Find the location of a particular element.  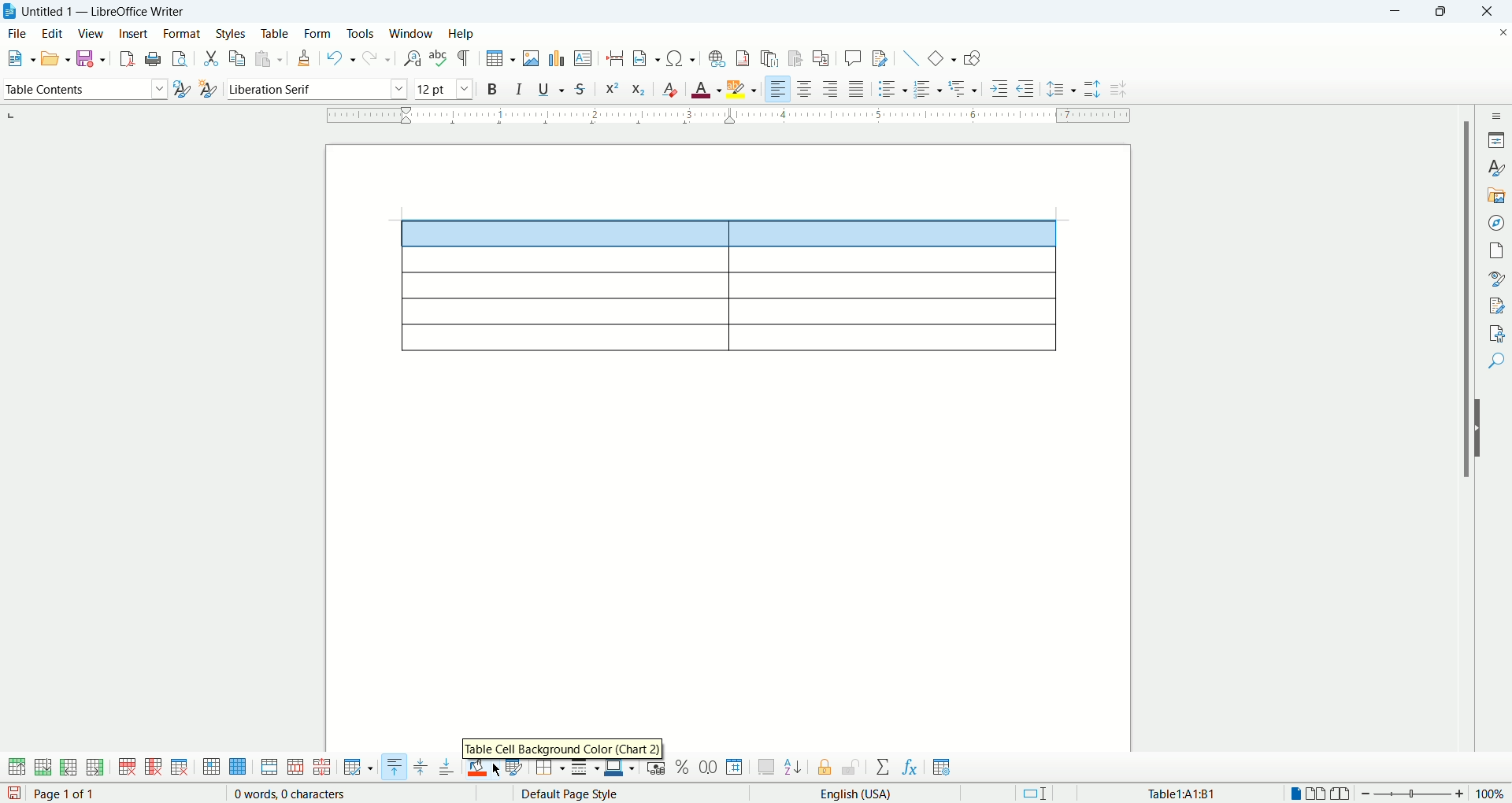

close is located at coordinates (1484, 13).